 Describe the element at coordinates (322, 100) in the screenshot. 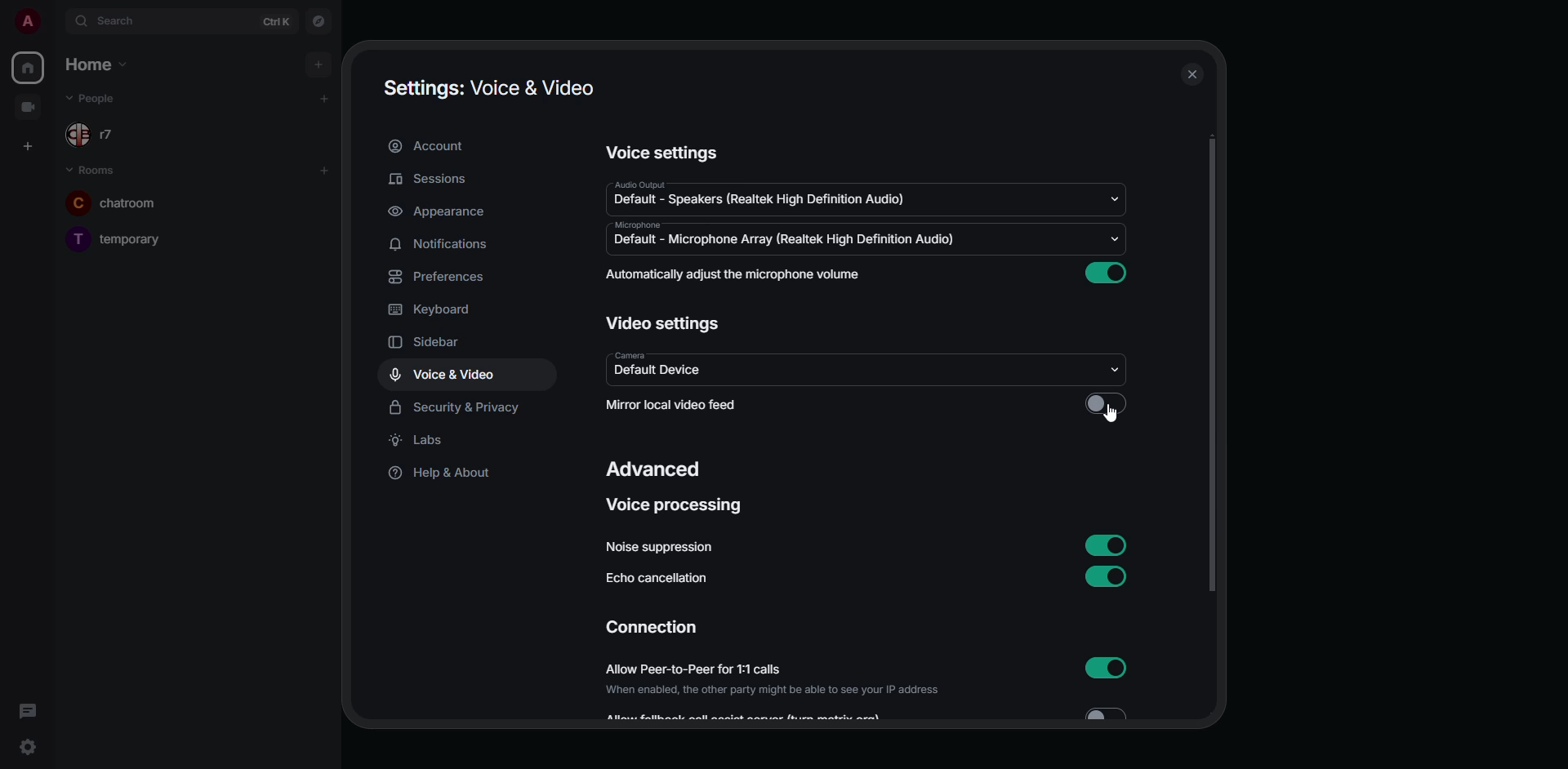

I see `add` at that location.